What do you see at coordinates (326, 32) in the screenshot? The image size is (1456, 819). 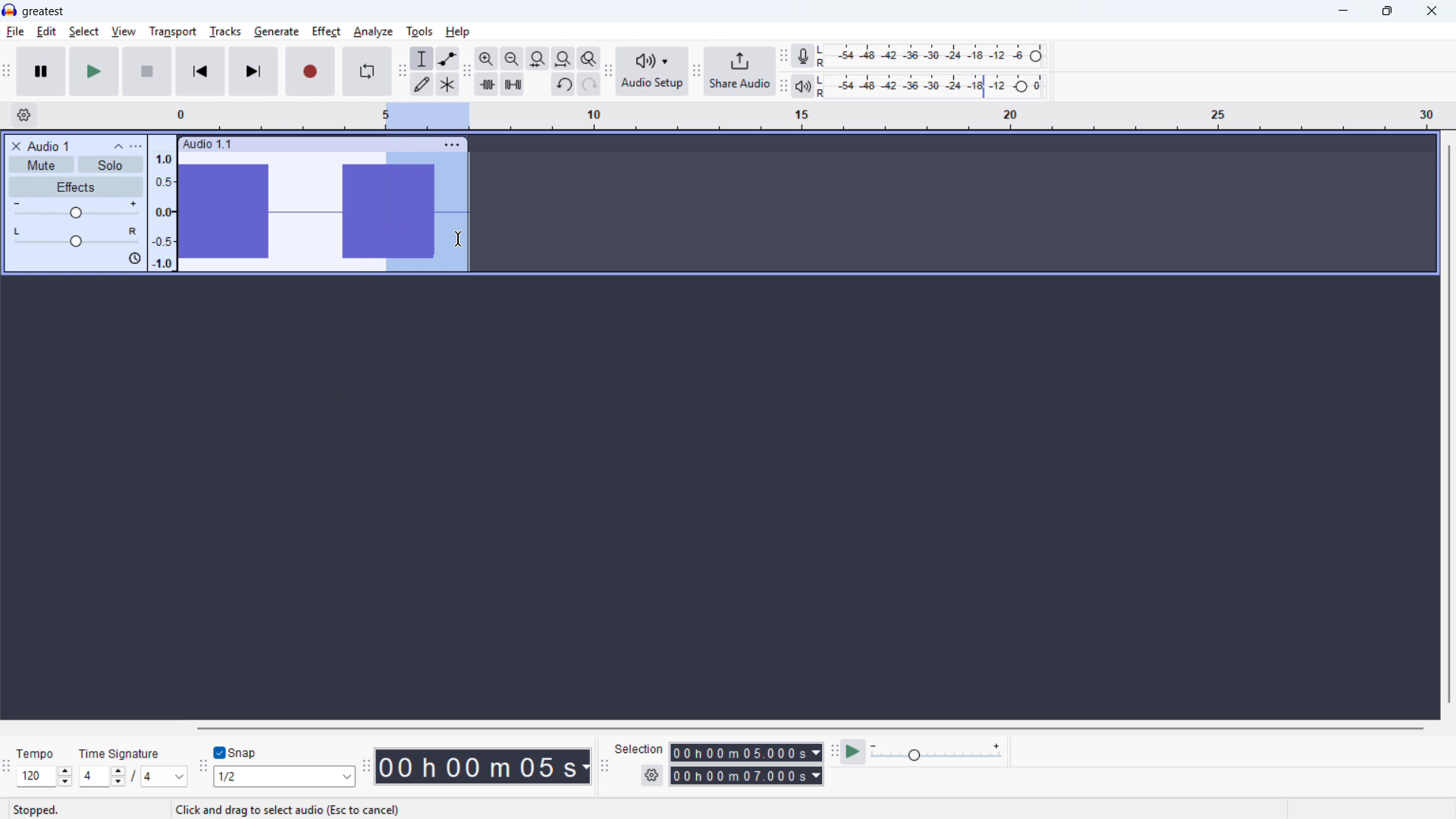 I see `effect` at bounding box center [326, 32].